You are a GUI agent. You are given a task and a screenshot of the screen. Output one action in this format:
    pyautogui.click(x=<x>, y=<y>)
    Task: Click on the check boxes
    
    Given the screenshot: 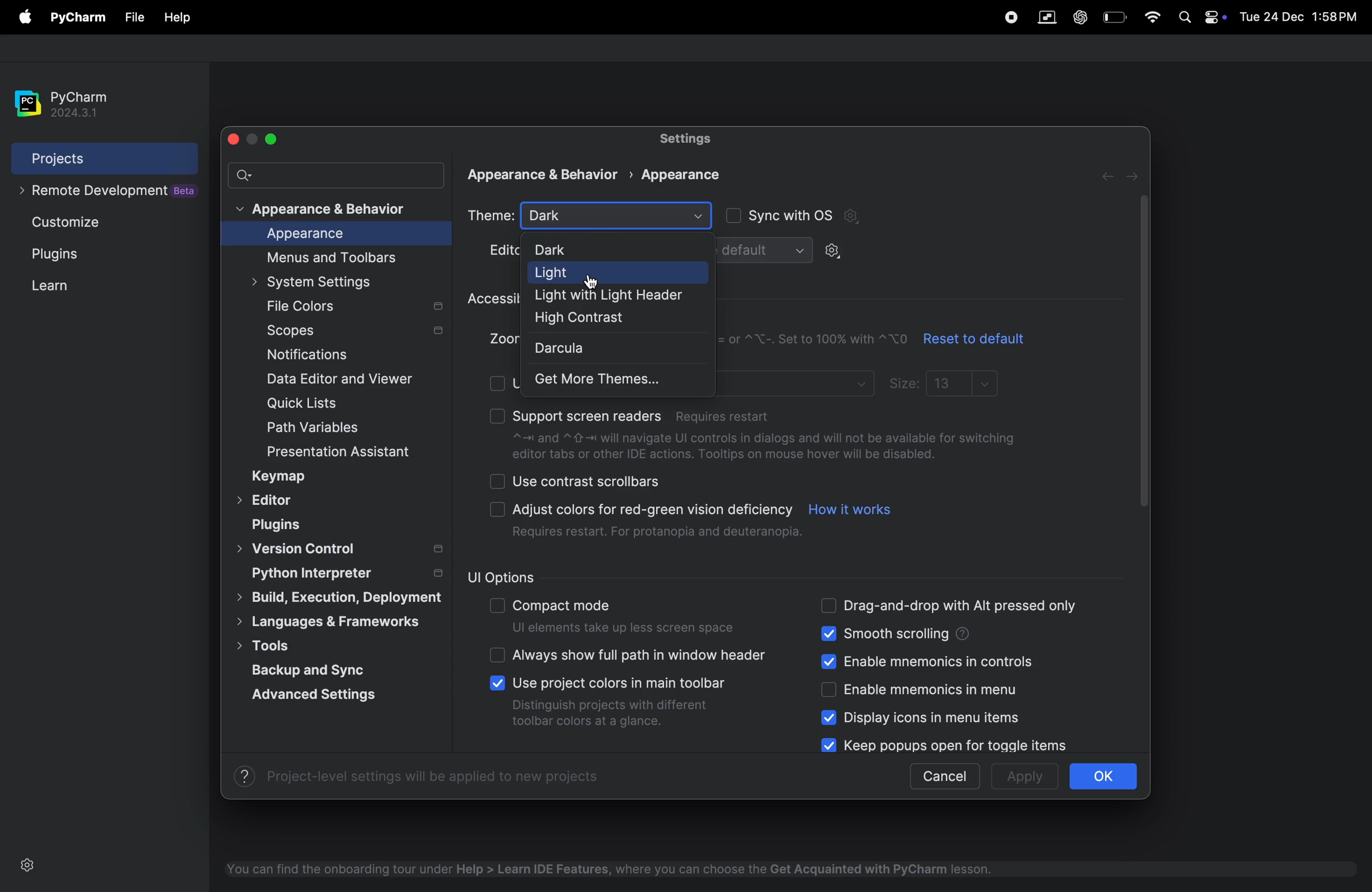 What is the action you would take?
    pyautogui.click(x=830, y=689)
    